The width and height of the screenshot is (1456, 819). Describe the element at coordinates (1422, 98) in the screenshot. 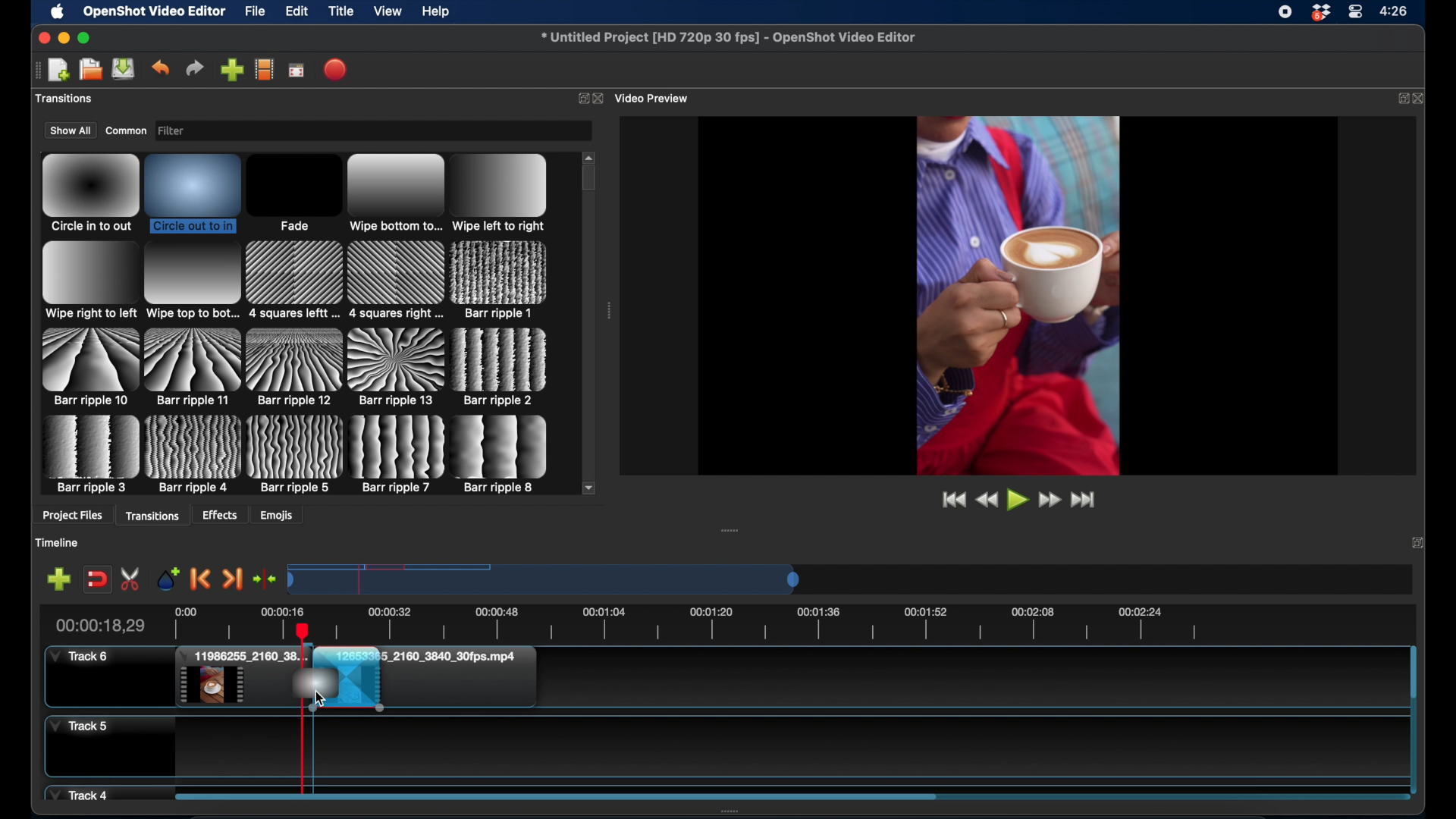

I see `close` at that location.